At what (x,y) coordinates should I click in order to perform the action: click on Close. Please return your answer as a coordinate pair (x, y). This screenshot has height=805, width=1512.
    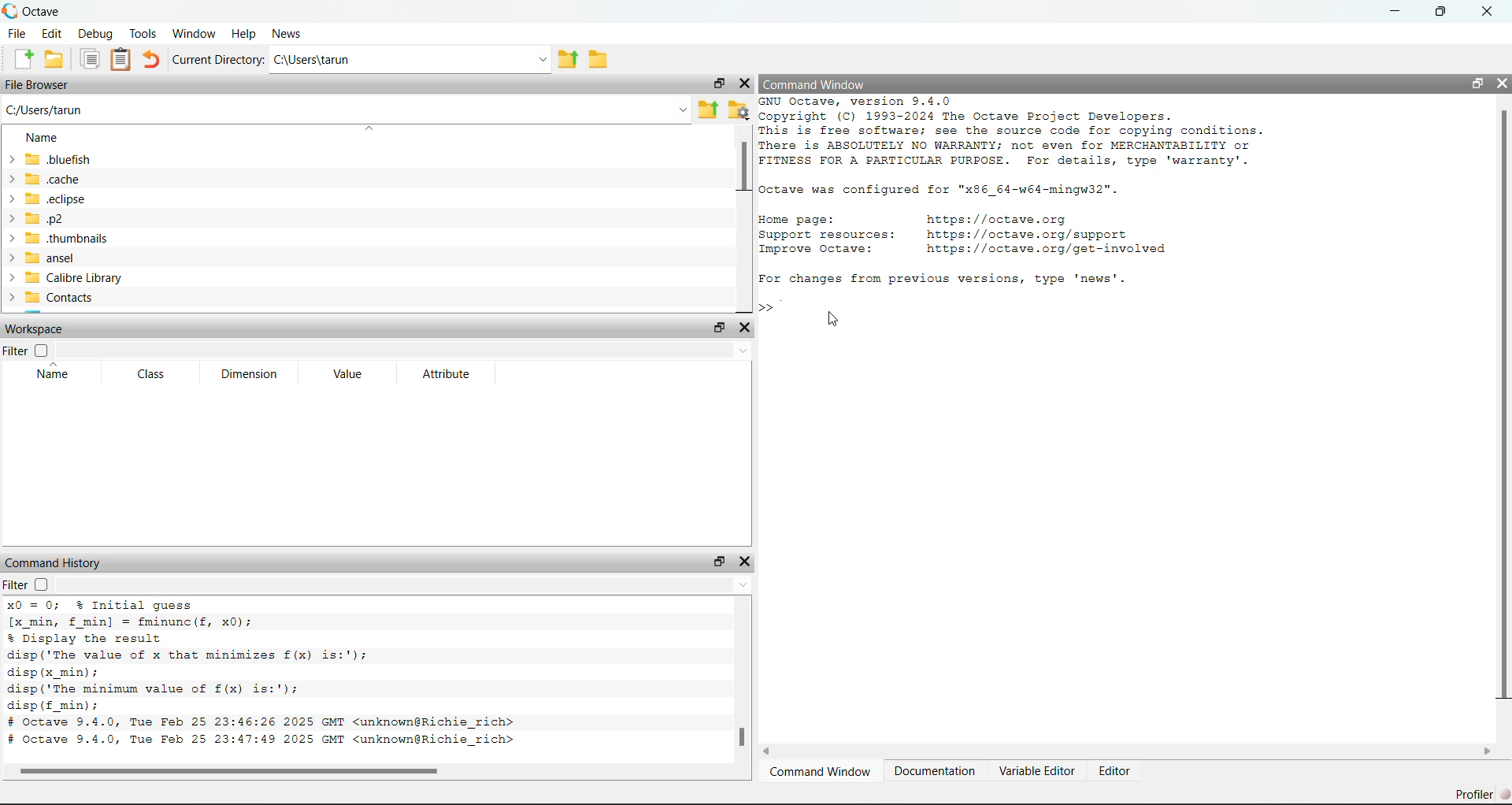
    Looking at the image, I should click on (750, 561).